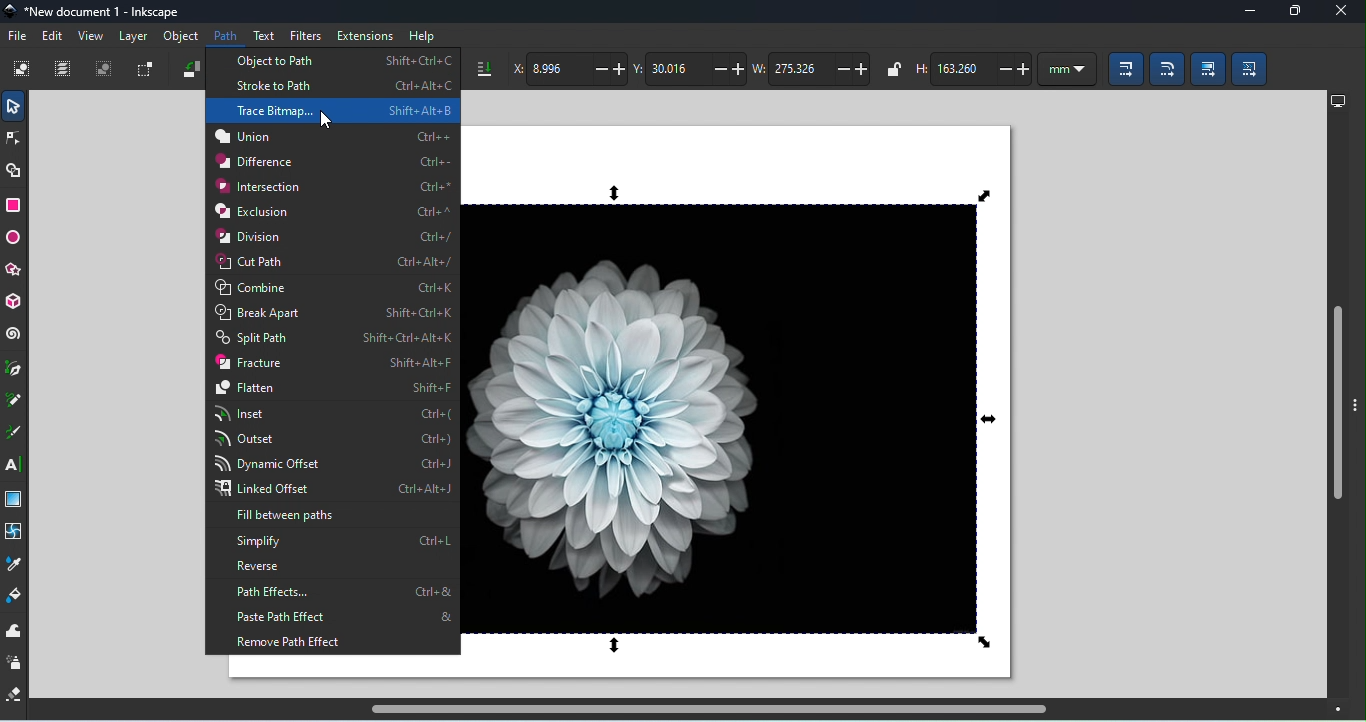 Image resolution: width=1366 pixels, height=722 pixels. Describe the element at coordinates (15, 370) in the screenshot. I see `Pen tool` at that location.